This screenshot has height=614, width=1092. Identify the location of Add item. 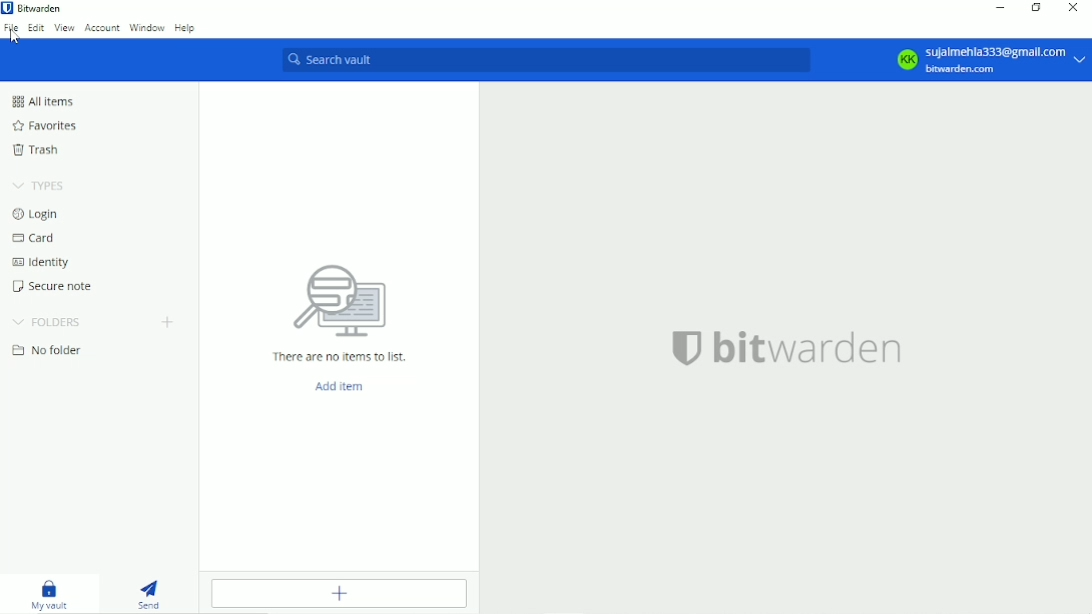
(339, 388).